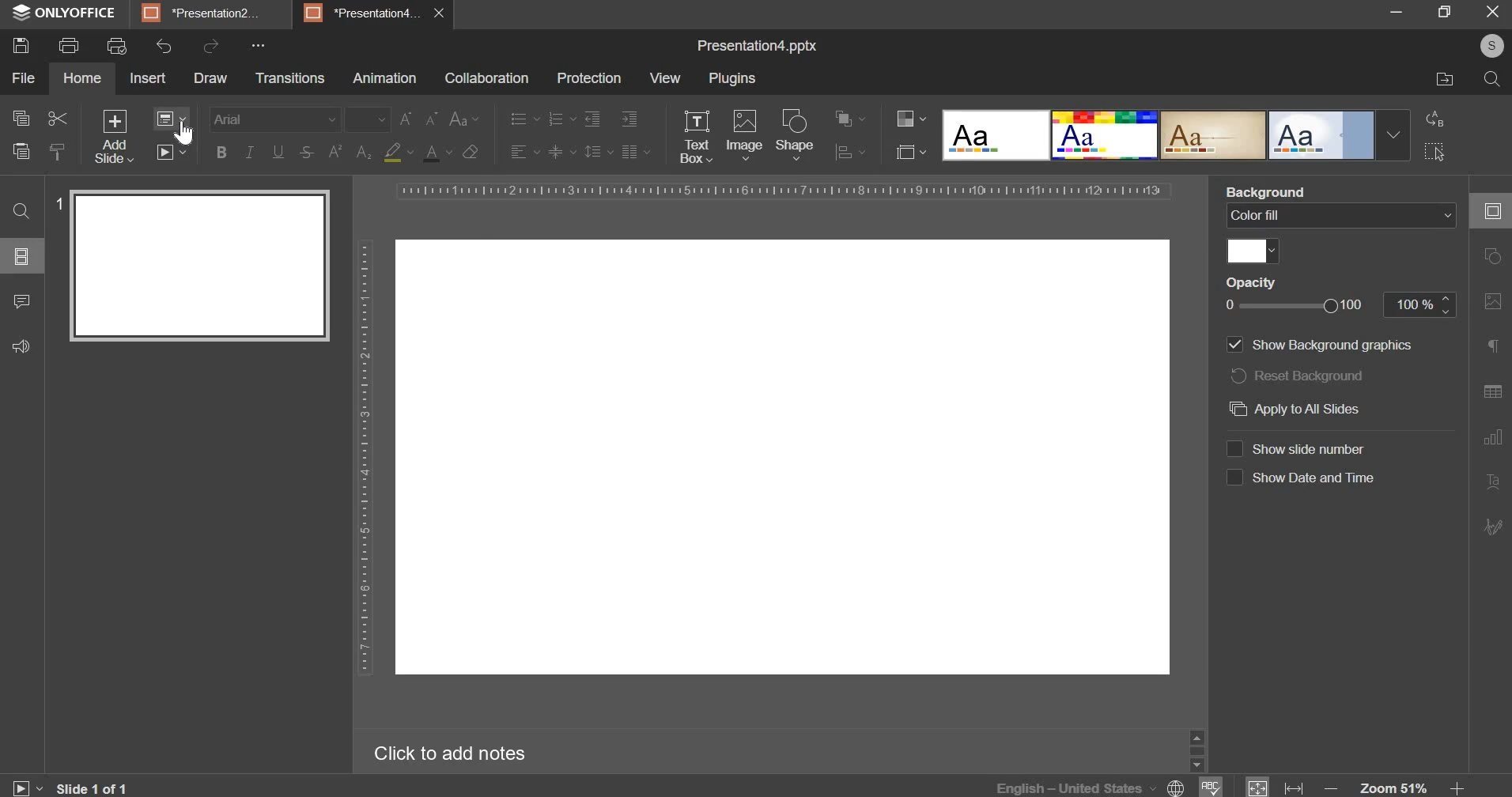  What do you see at coordinates (278, 151) in the screenshot?
I see `underline` at bounding box center [278, 151].